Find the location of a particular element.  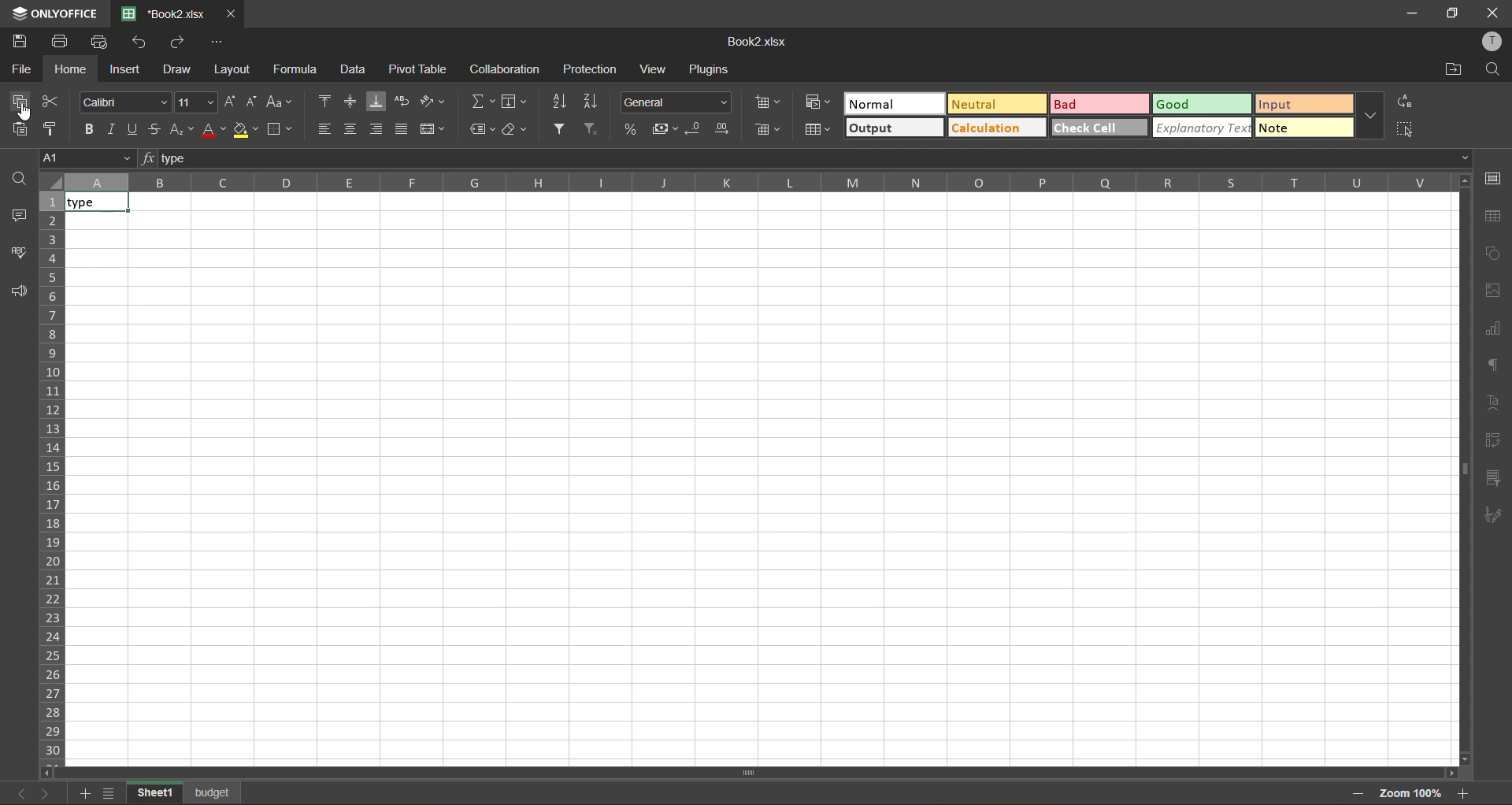

strikethrough is located at coordinates (160, 130).